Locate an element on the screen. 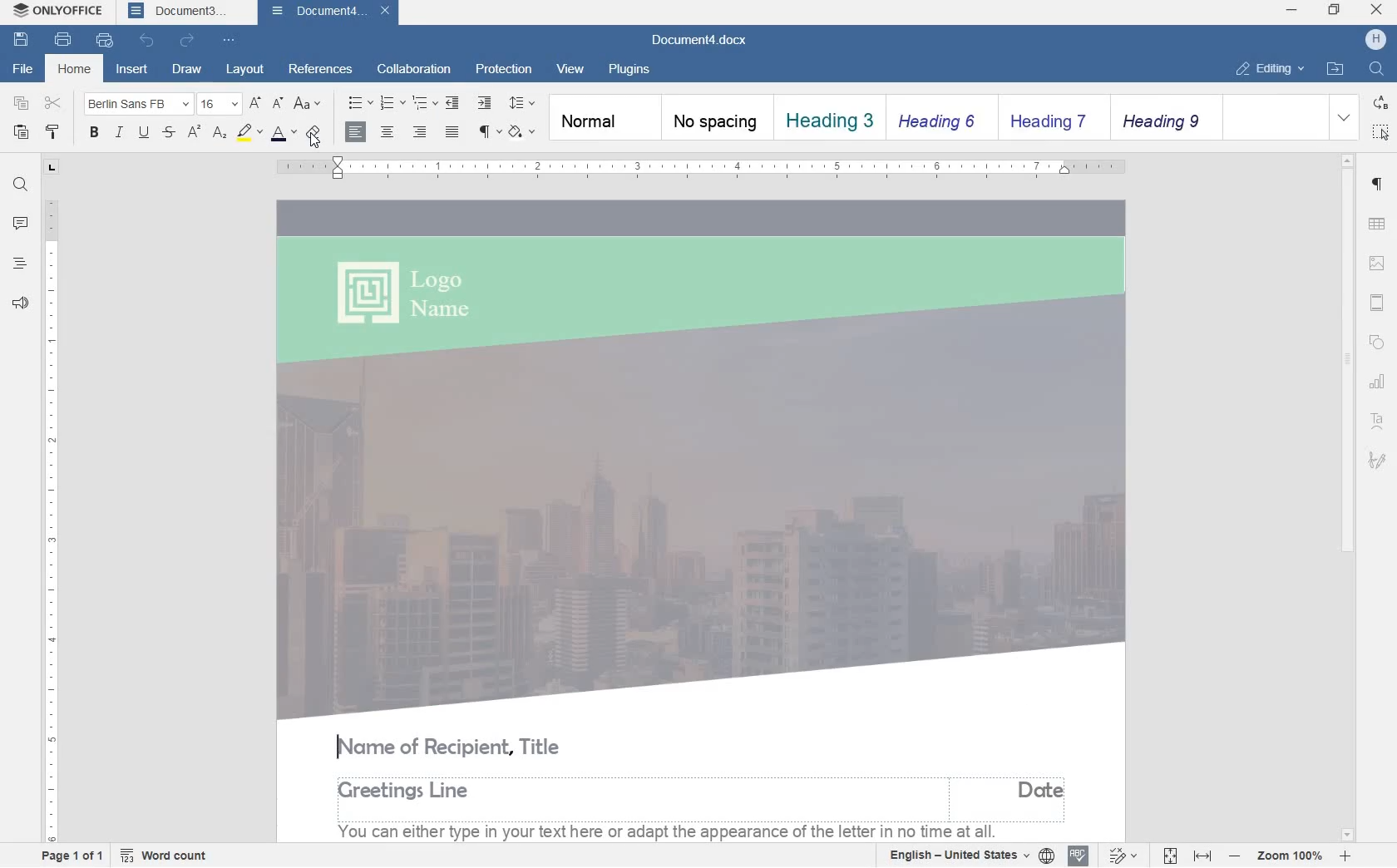 Image resolution: width=1397 pixels, height=868 pixels. no spacing is located at coordinates (711, 118).